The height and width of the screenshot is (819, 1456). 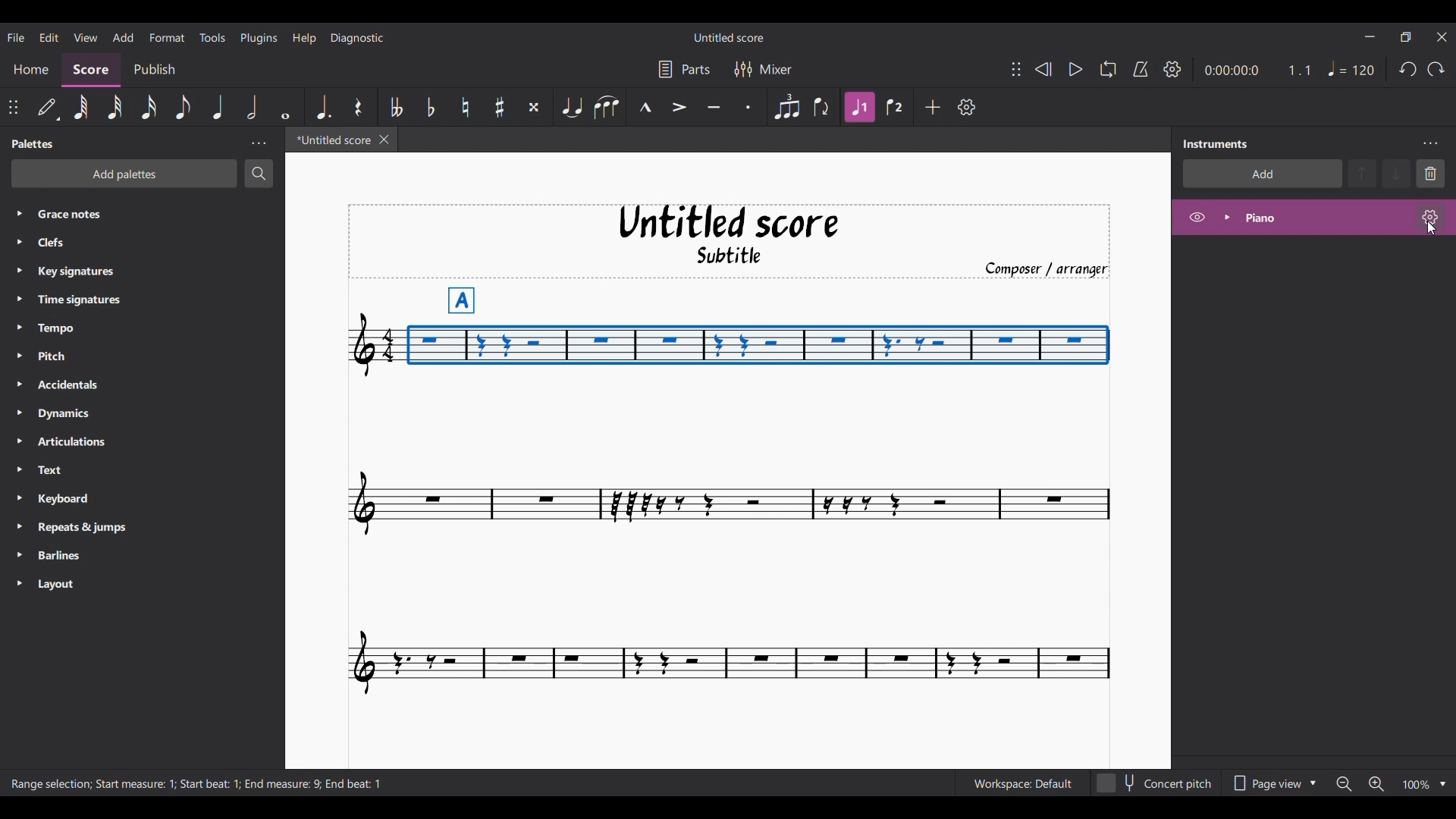 I want to click on Ratio and duration of current note in score, so click(x=1257, y=70).